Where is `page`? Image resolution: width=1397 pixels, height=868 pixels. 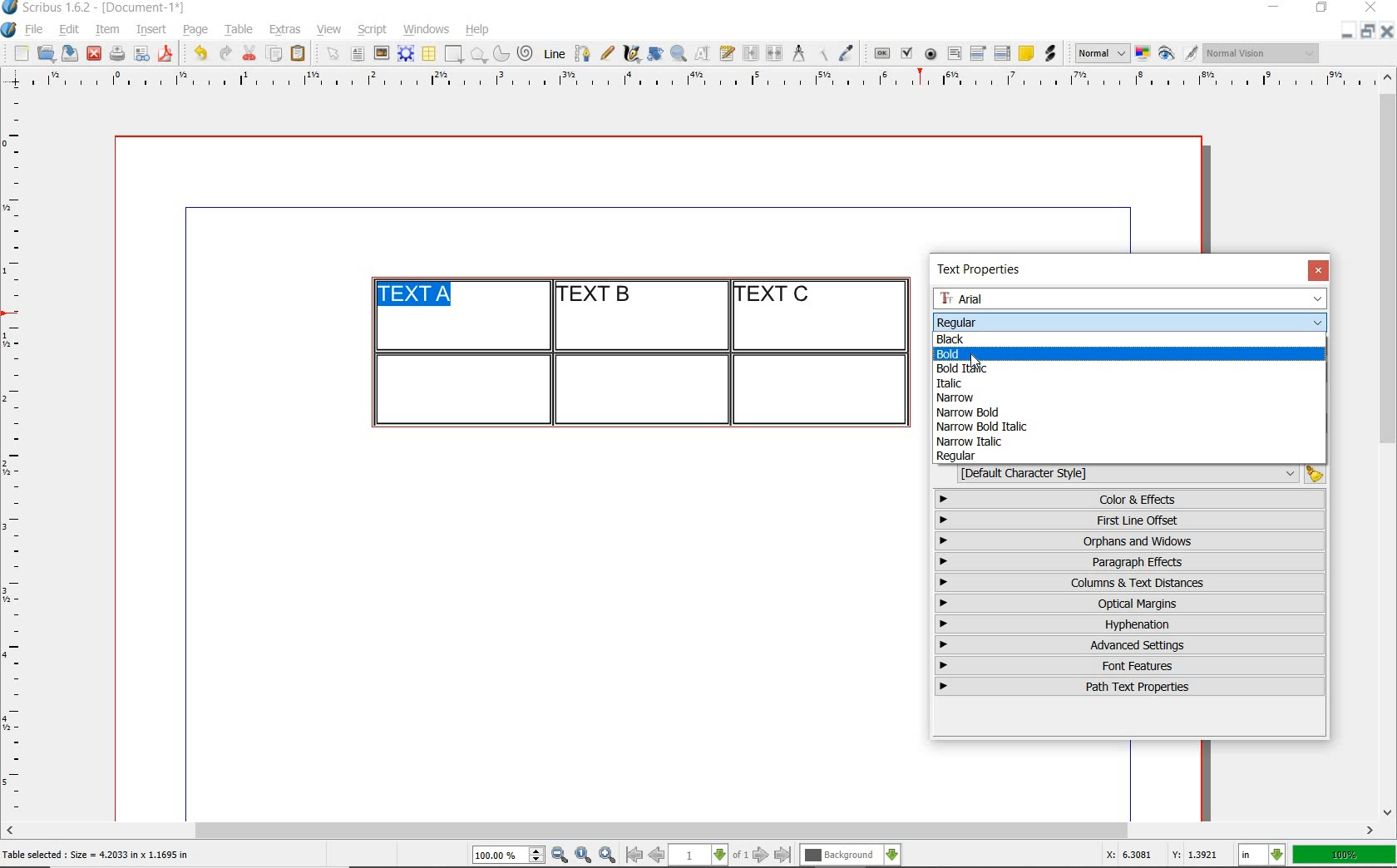
page is located at coordinates (195, 29).